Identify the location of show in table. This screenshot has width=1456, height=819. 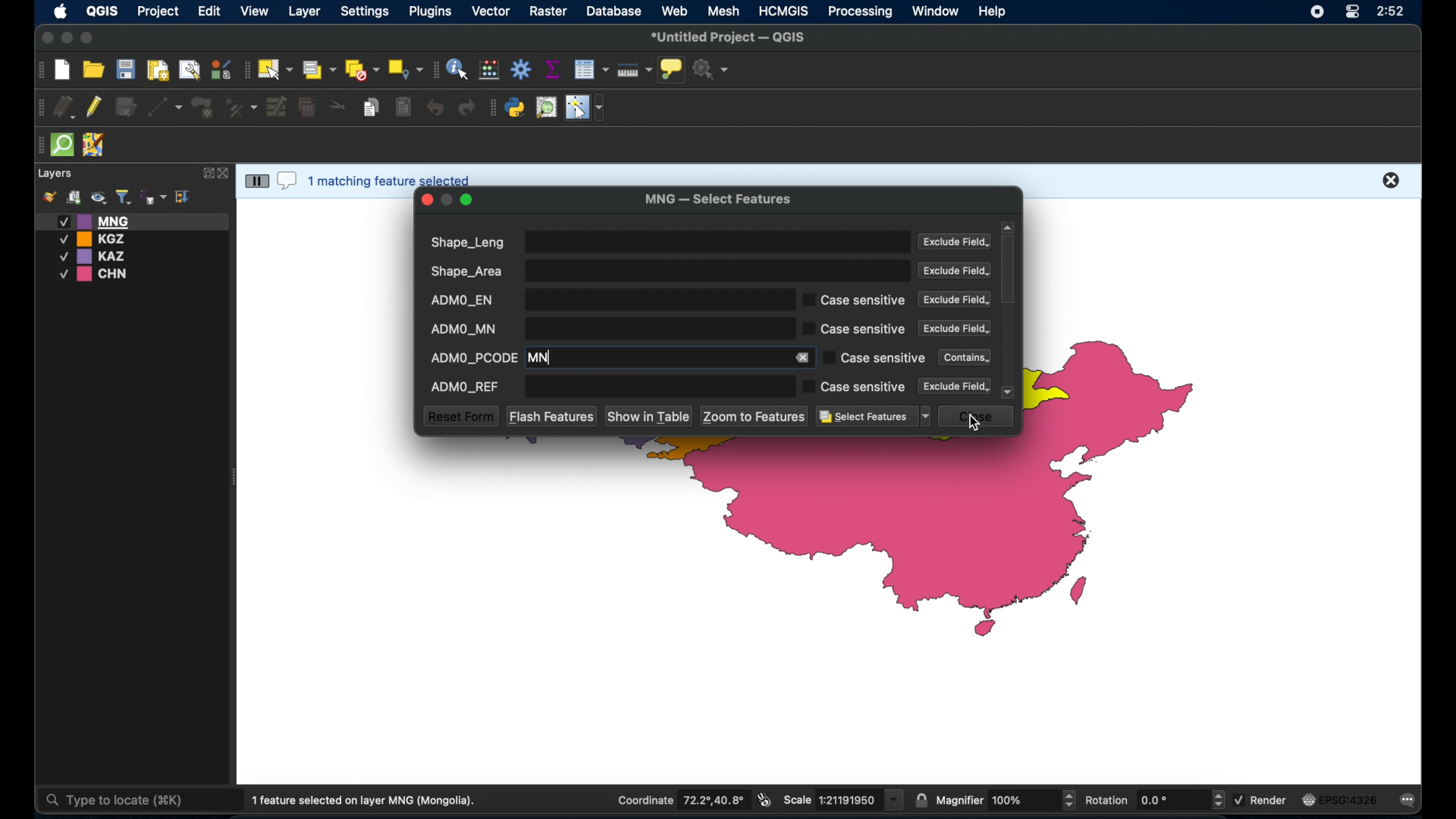
(650, 417).